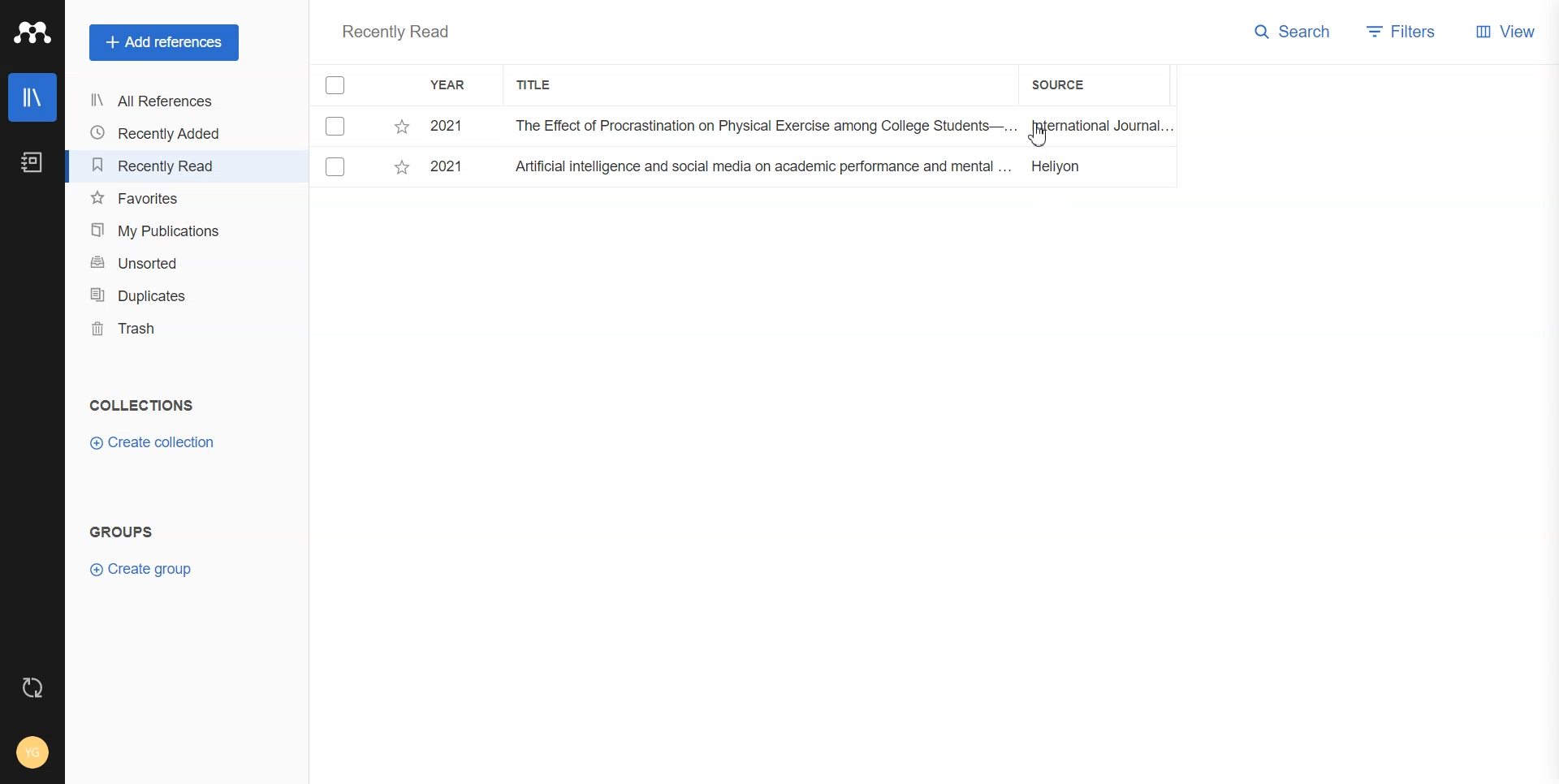 The width and height of the screenshot is (1559, 784). I want to click on Collections, so click(141, 405).